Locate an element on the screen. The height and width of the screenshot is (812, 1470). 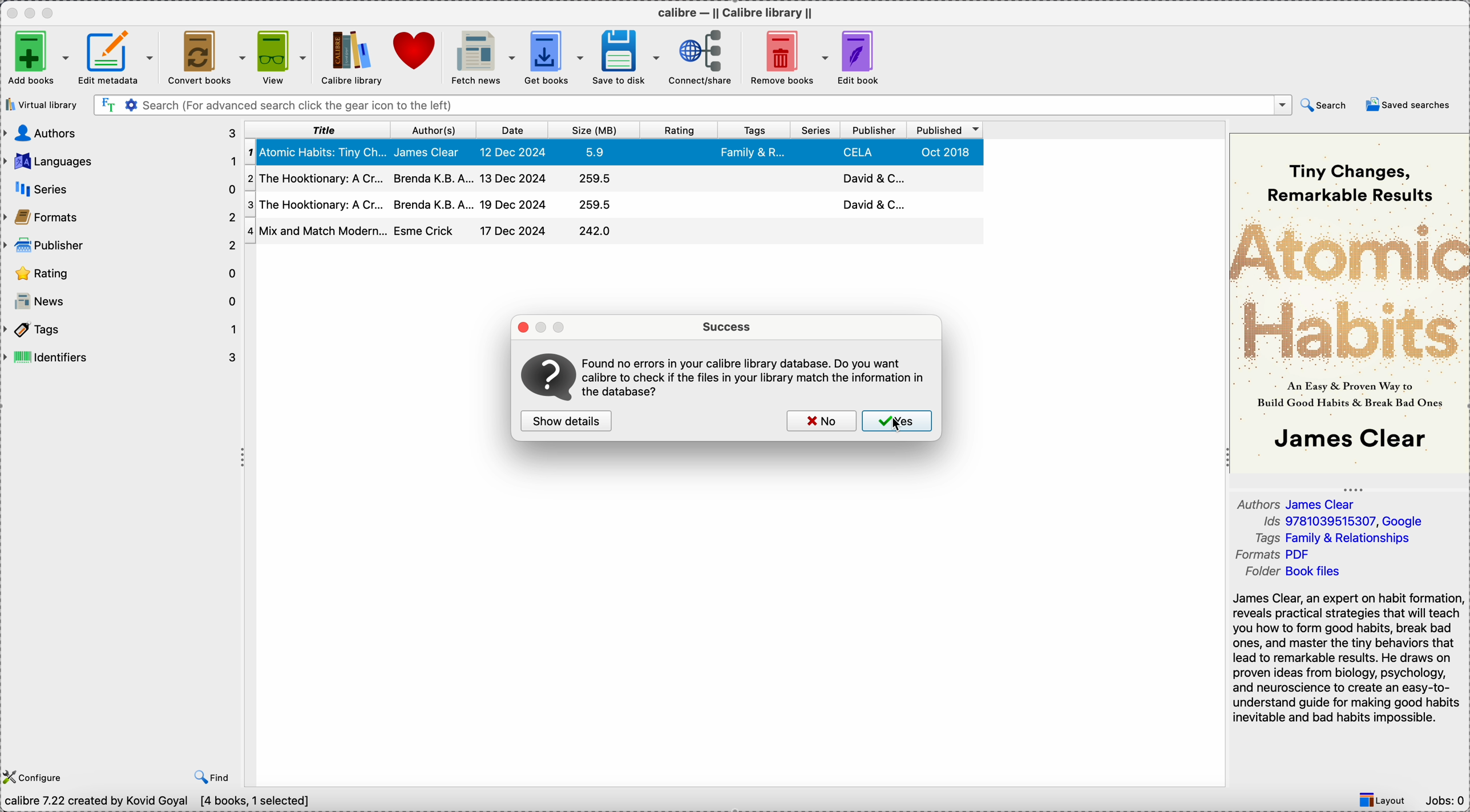
edit metadata is located at coordinates (118, 61).